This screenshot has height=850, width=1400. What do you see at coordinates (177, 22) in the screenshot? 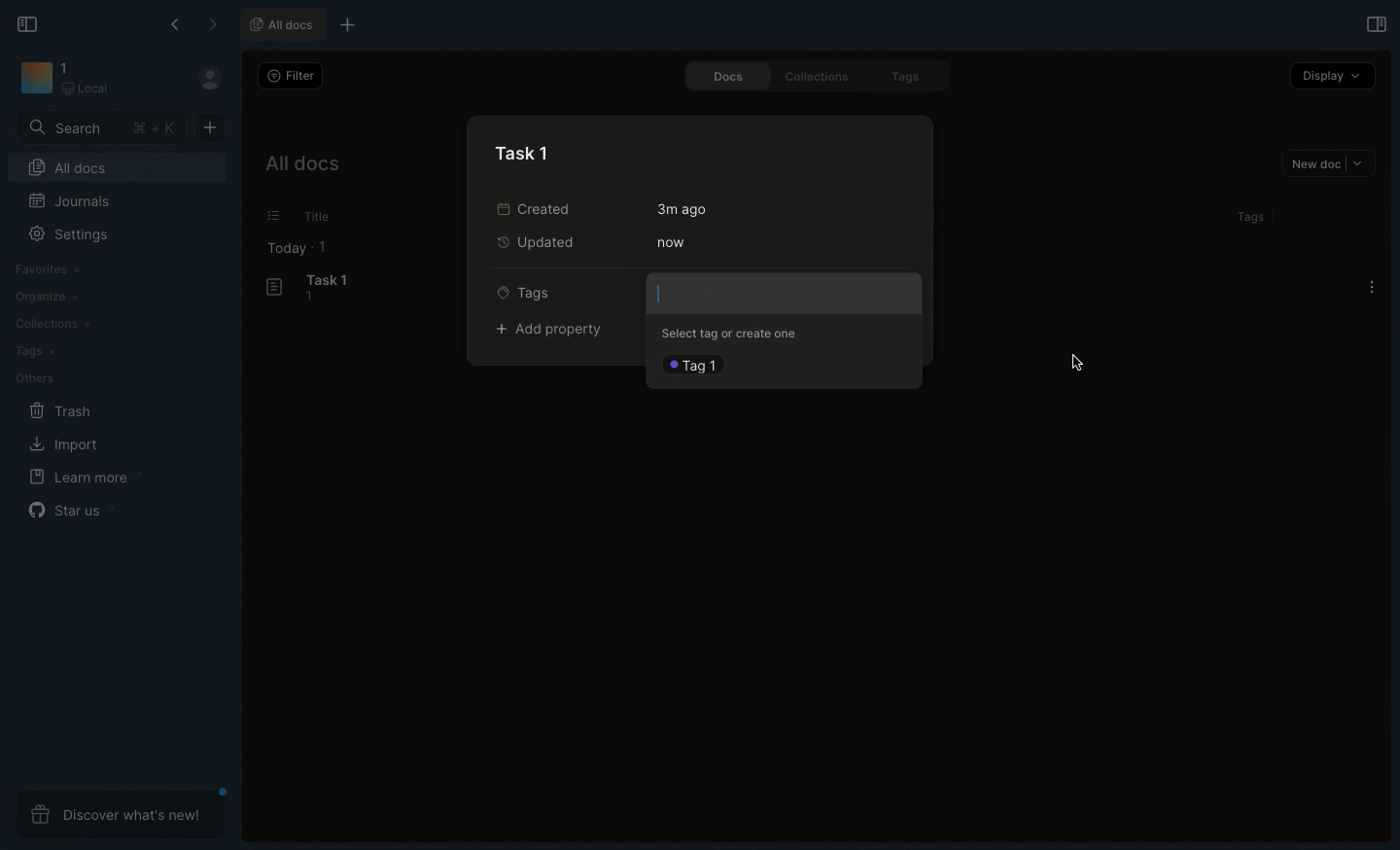
I see `Left arrow` at bounding box center [177, 22].